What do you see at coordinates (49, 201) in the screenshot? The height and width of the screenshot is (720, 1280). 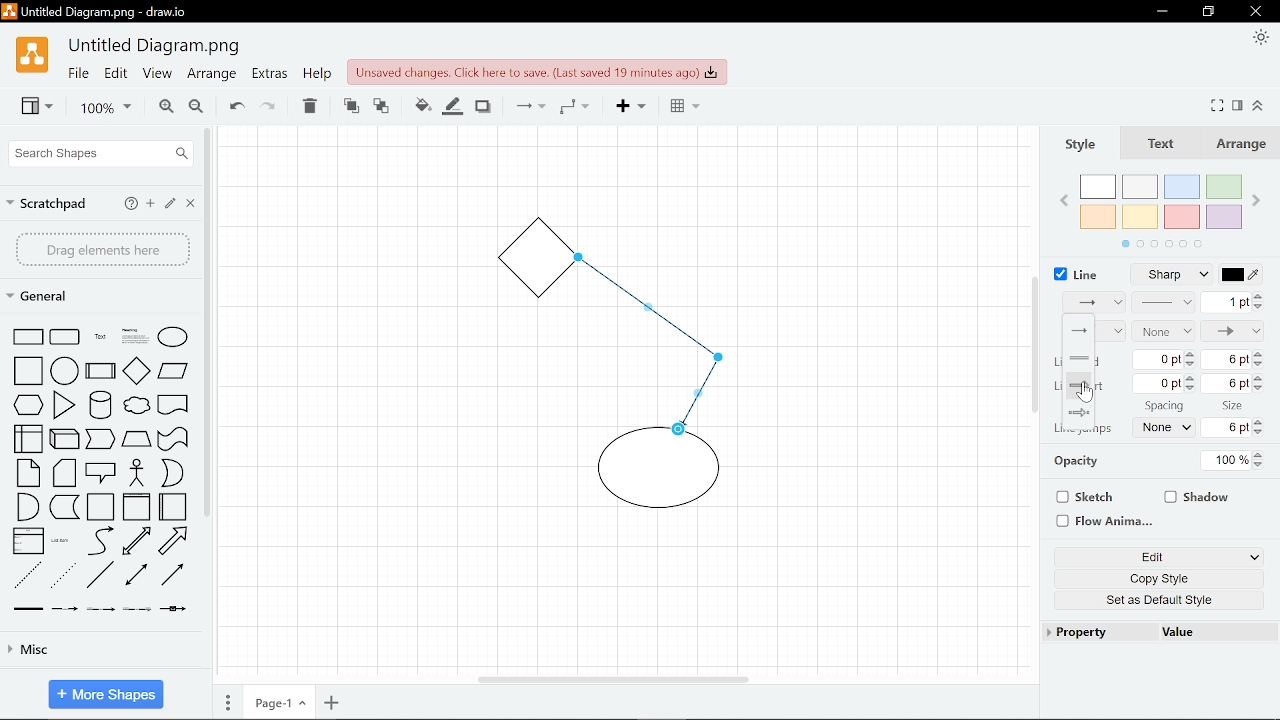 I see `Scratchpad` at bounding box center [49, 201].